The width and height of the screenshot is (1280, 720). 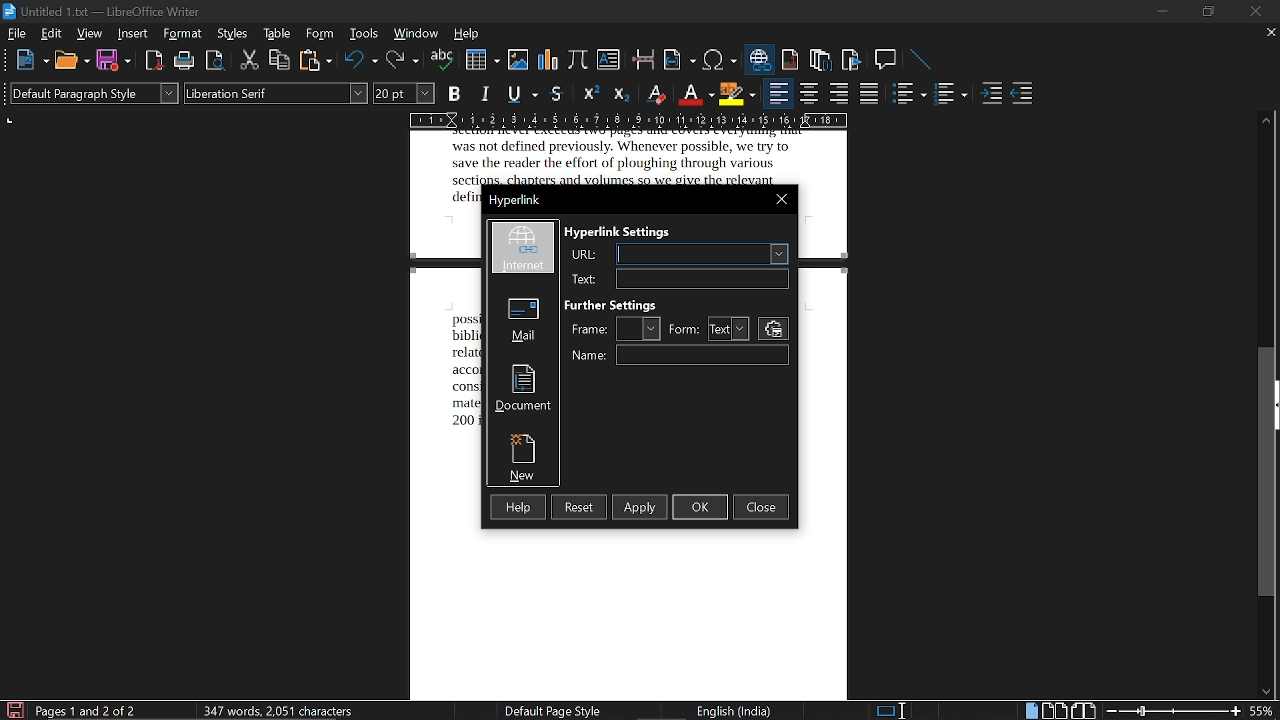 I want to click on URL, so click(x=703, y=255).